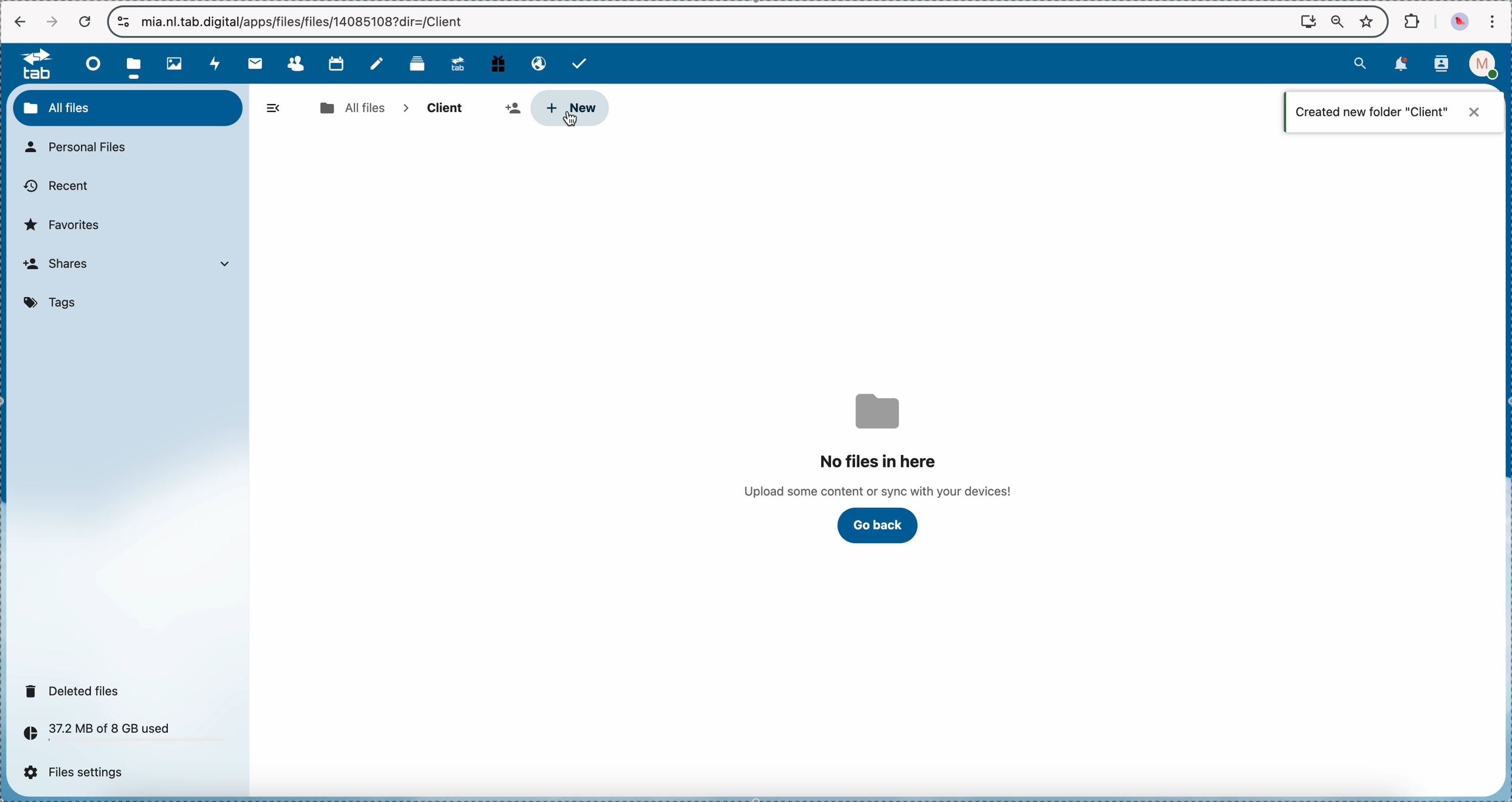  What do you see at coordinates (84, 22) in the screenshot?
I see `cancel` at bounding box center [84, 22].